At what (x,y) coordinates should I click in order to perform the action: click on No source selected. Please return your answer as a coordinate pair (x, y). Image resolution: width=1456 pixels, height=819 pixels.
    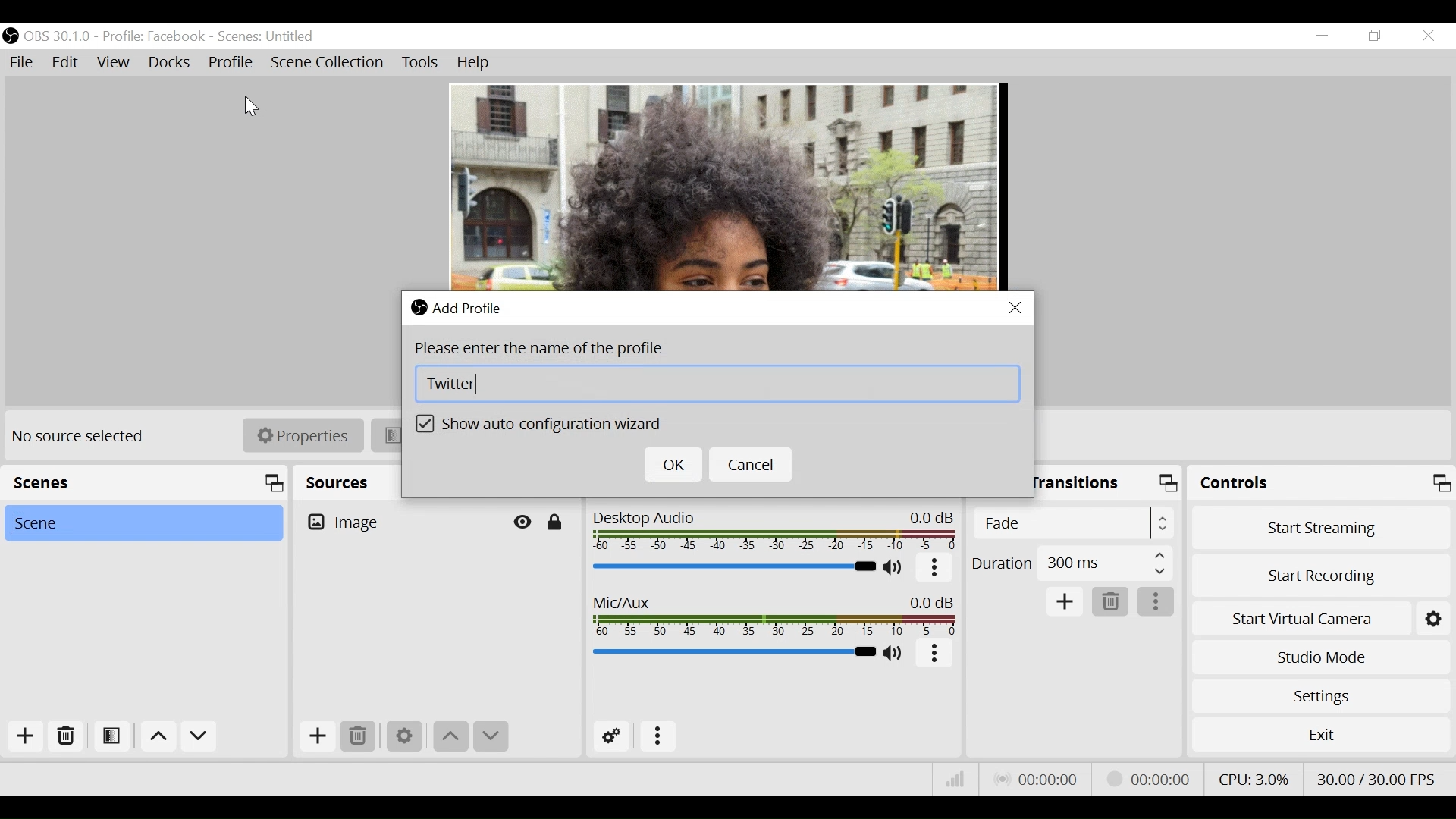
    Looking at the image, I should click on (83, 437).